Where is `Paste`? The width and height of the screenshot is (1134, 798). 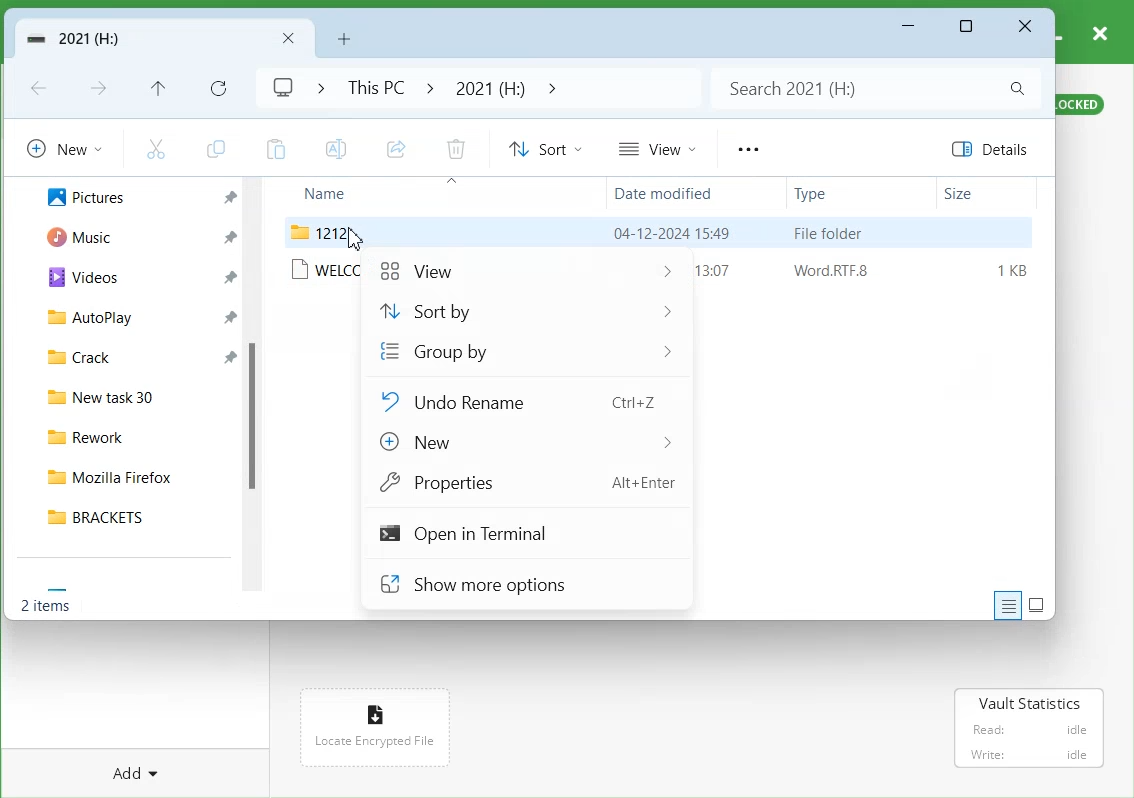
Paste is located at coordinates (273, 147).